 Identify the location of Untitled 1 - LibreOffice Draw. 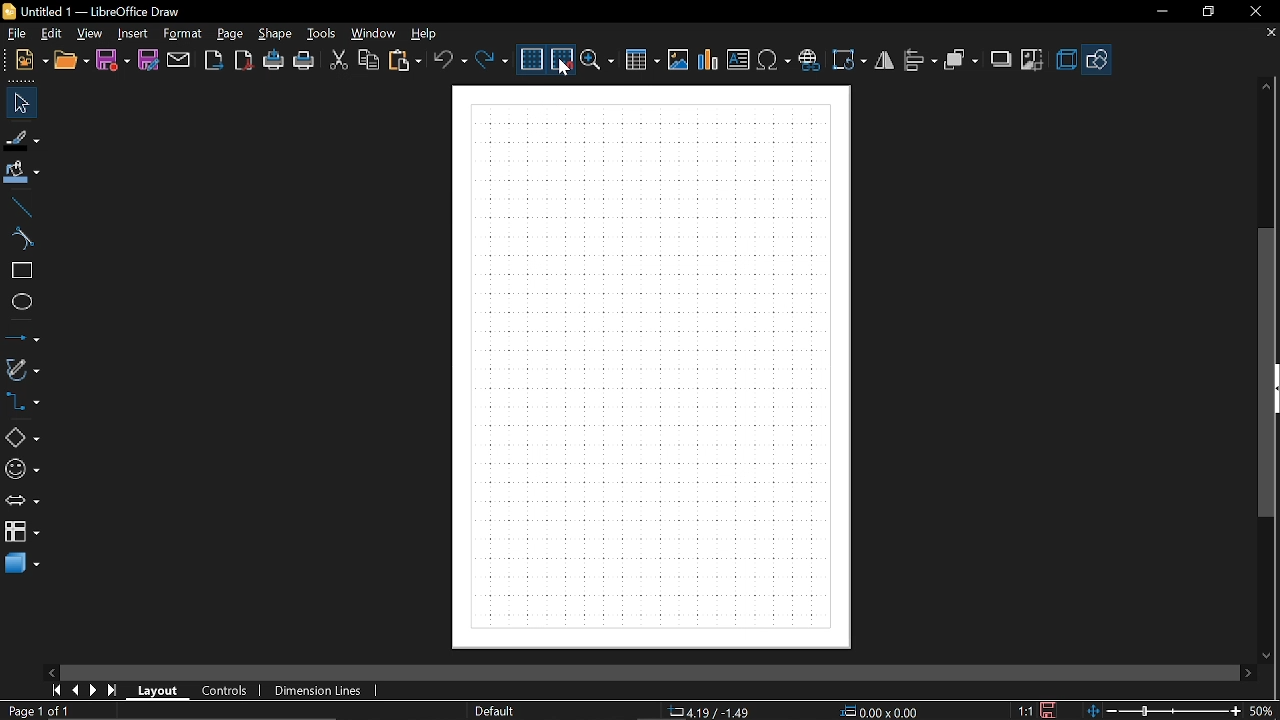
(97, 9).